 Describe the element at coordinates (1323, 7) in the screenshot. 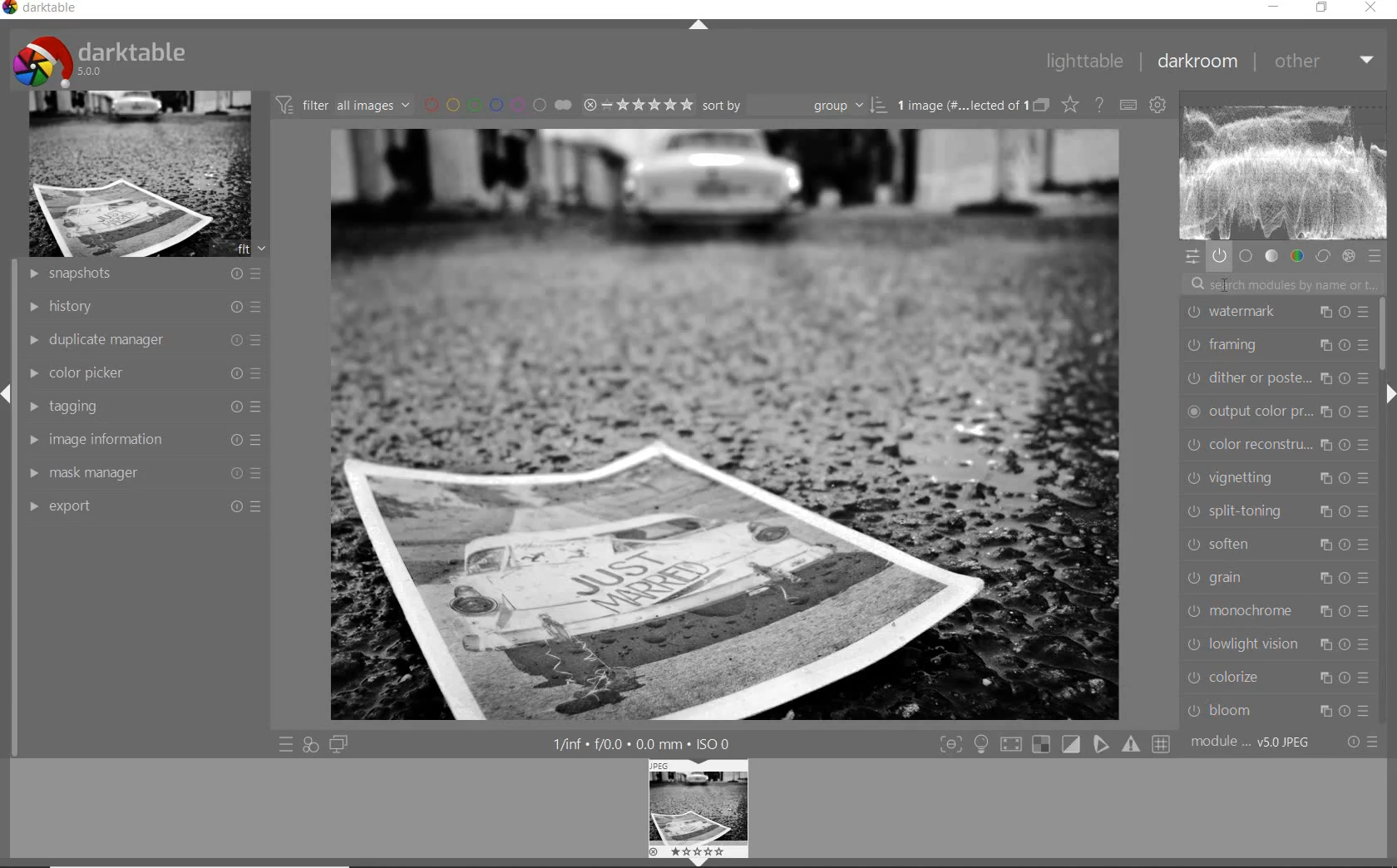

I see `restore` at that location.